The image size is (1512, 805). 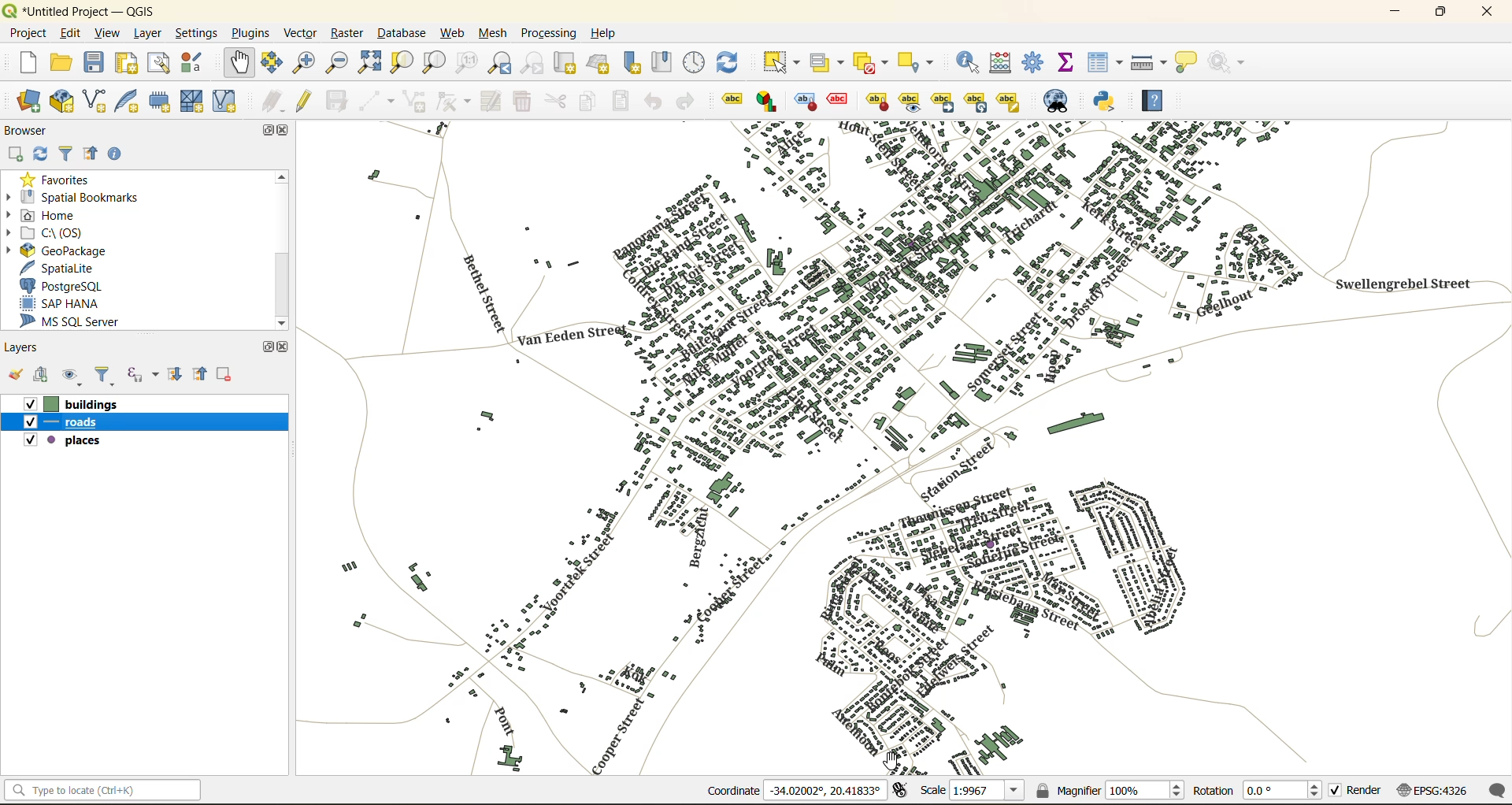 What do you see at coordinates (1493, 791) in the screenshot?
I see `log messages` at bounding box center [1493, 791].